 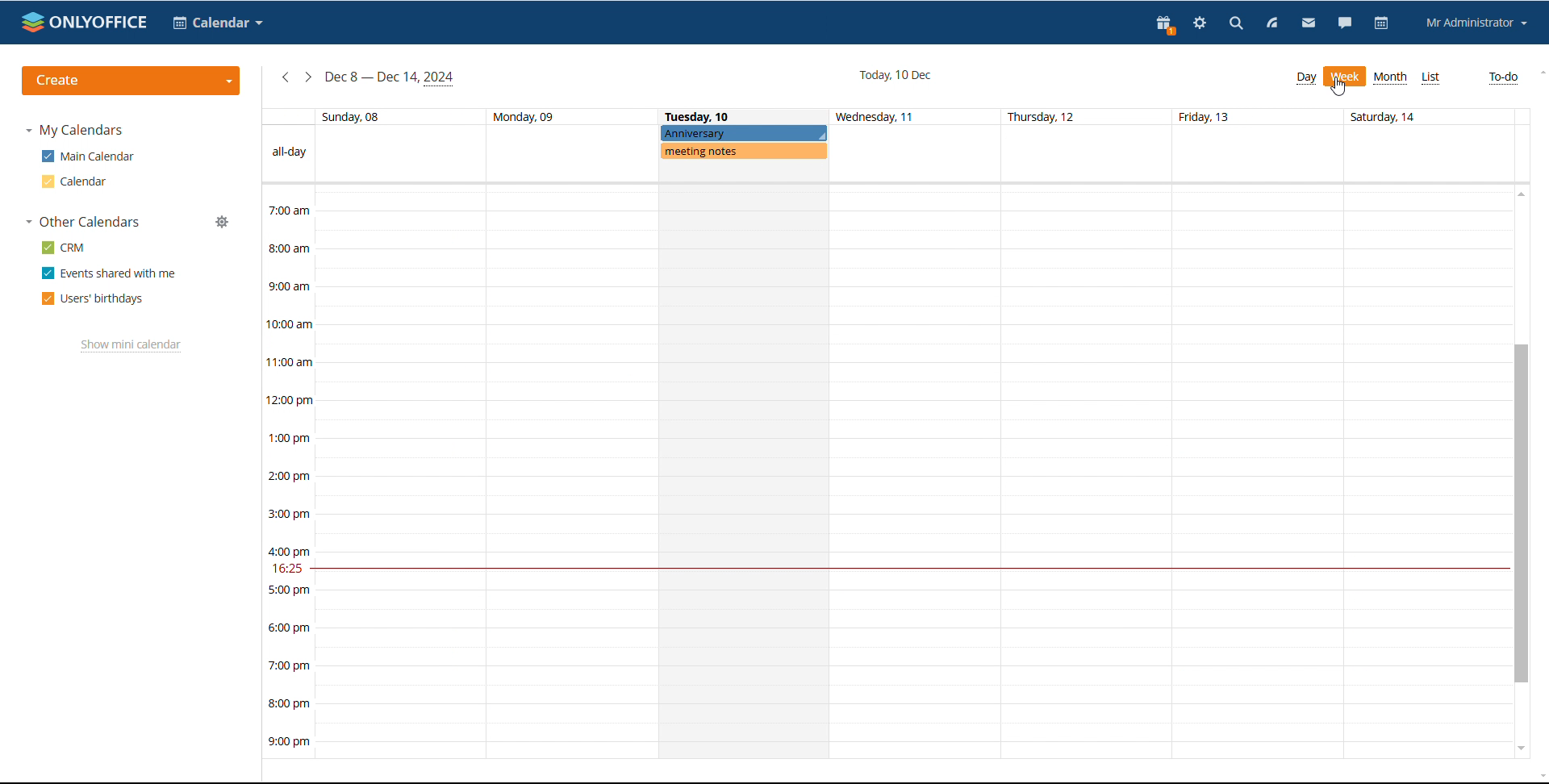 What do you see at coordinates (1344, 77) in the screenshot?
I see `week view` at bounding box center [1344, 77].